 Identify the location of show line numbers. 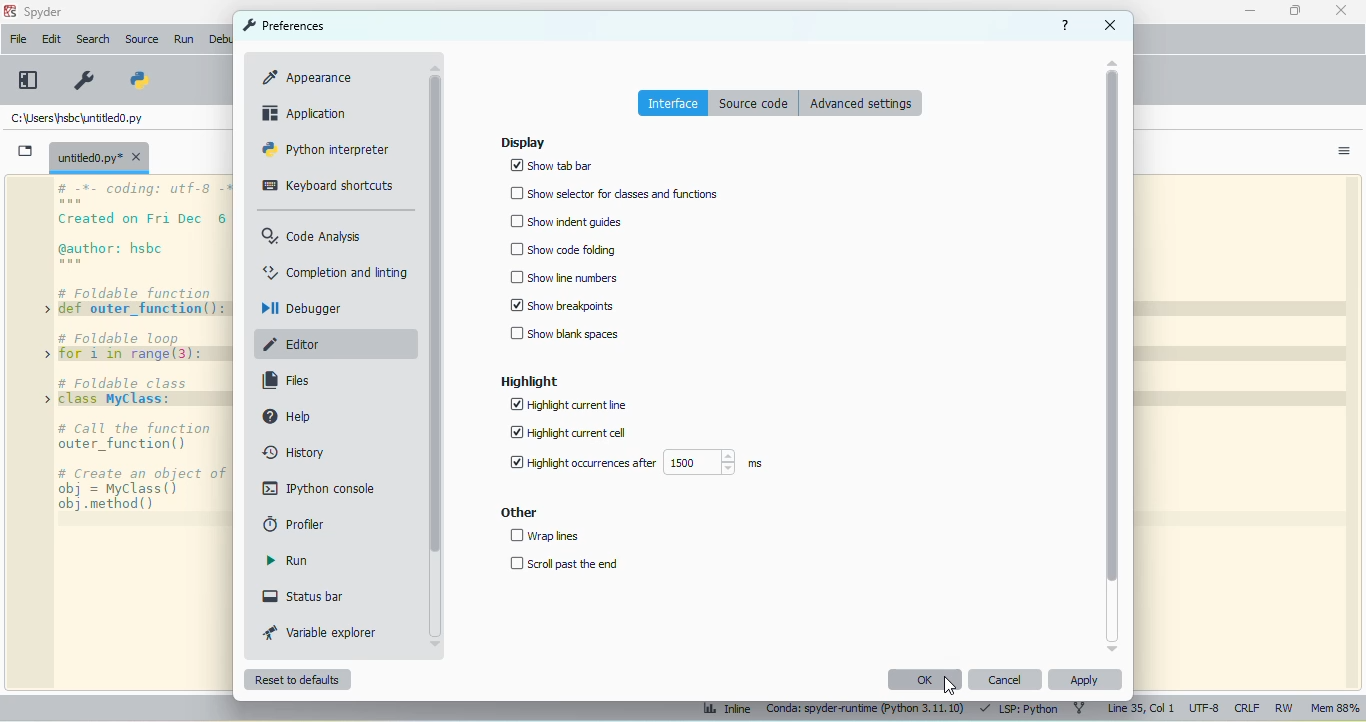
(563, 277).